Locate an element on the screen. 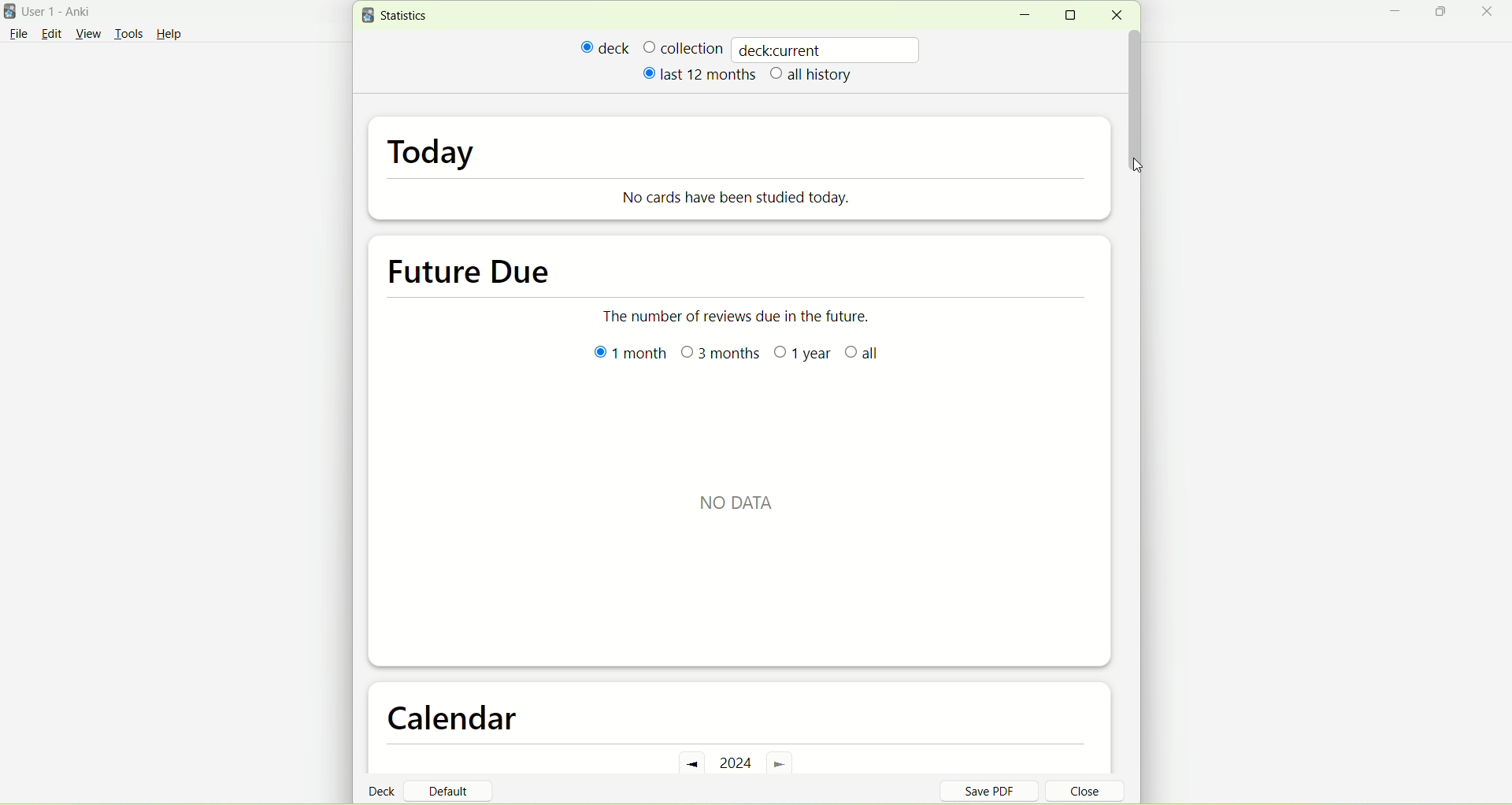  edit is located at coordinates (51, 33).